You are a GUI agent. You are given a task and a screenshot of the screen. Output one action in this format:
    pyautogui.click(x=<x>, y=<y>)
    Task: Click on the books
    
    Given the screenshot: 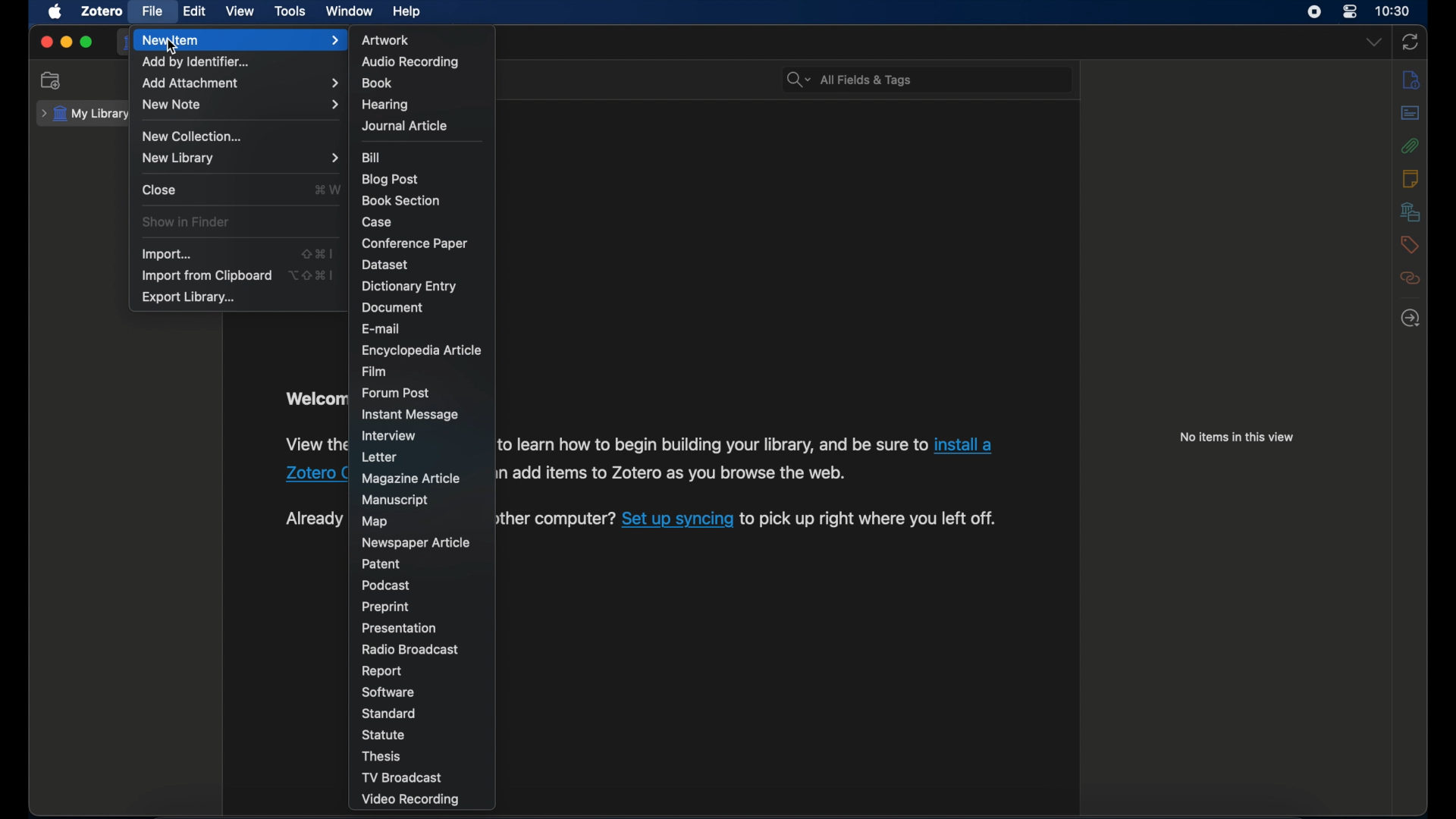 What is the action you would take?
    pyautogui.click(x=377, y=83)
    